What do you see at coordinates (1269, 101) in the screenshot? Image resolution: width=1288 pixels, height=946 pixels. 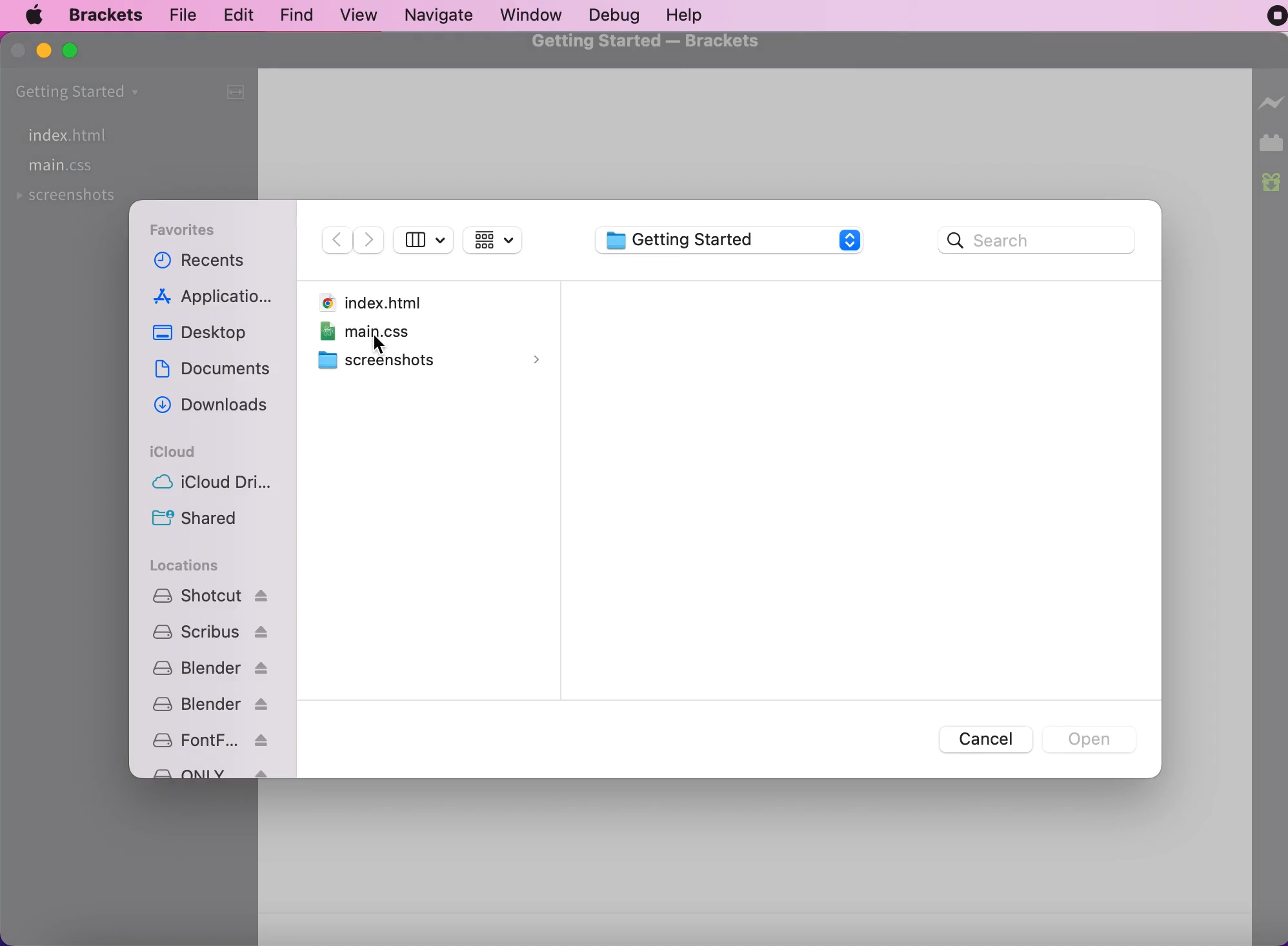 I see `live preview` at bounding box center [1269, 101].